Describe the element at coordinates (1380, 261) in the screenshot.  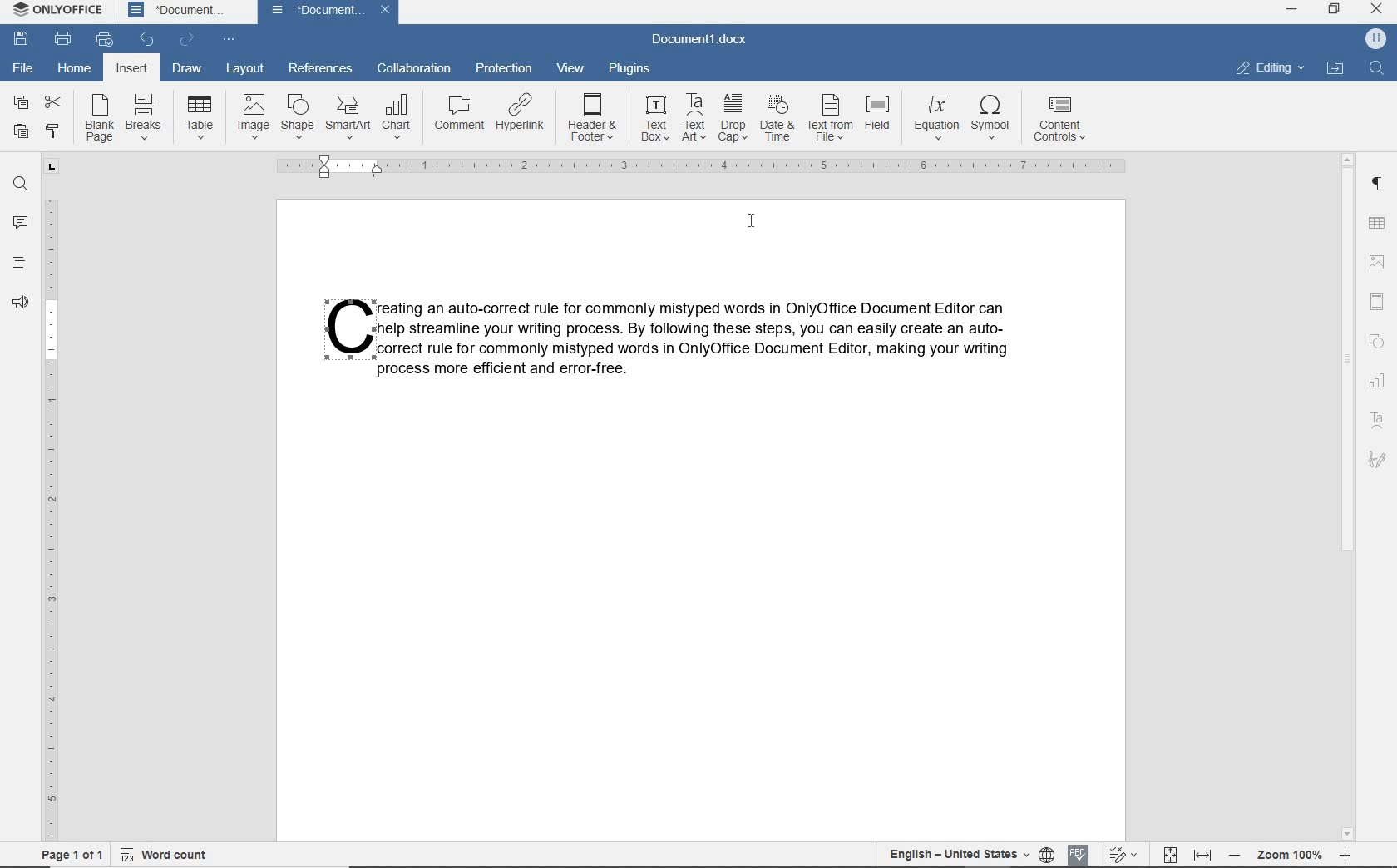
I see `insert image` at that location.